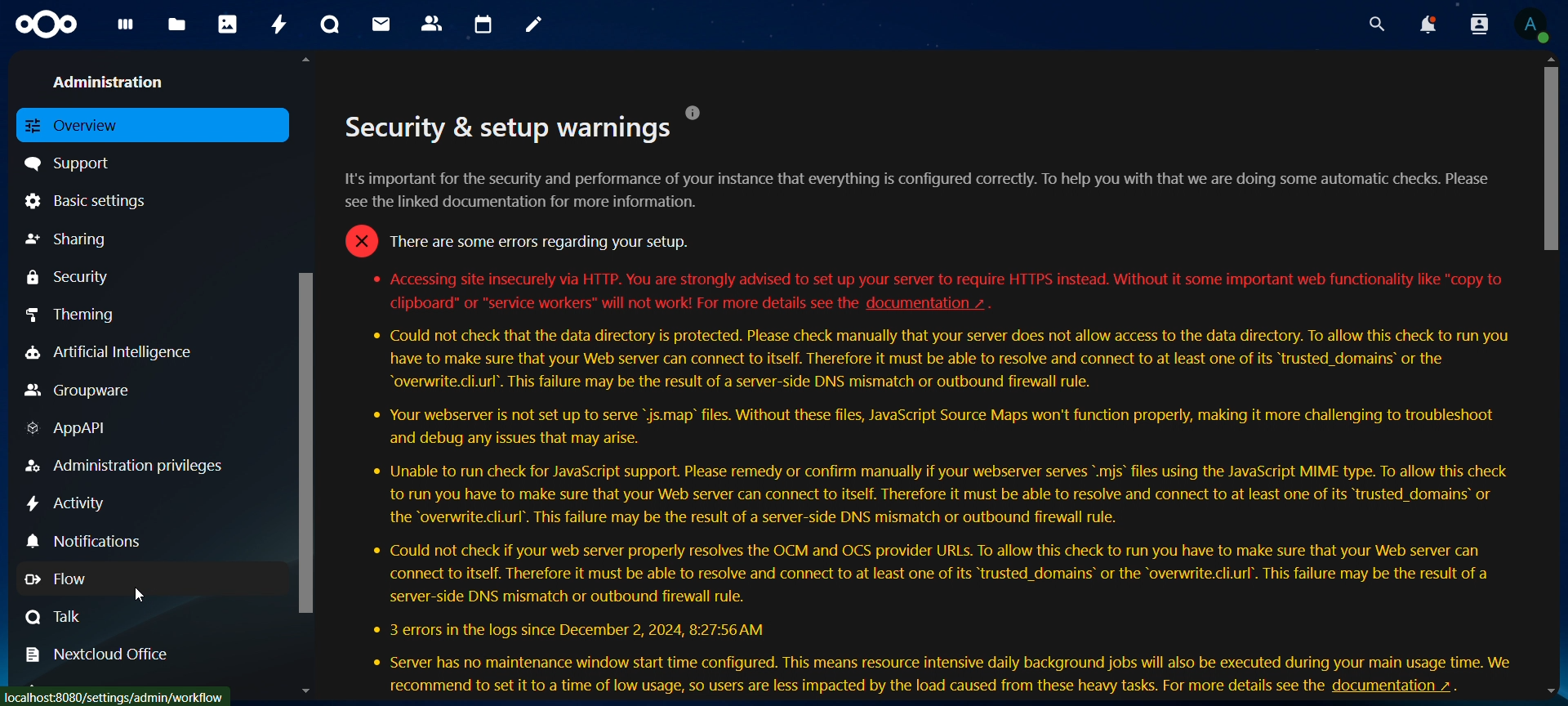 The height and width of the screenshot is (706, 1568). Describe the element at coordinates (79, 391) in the screenshot. I see `groupware` at that location.